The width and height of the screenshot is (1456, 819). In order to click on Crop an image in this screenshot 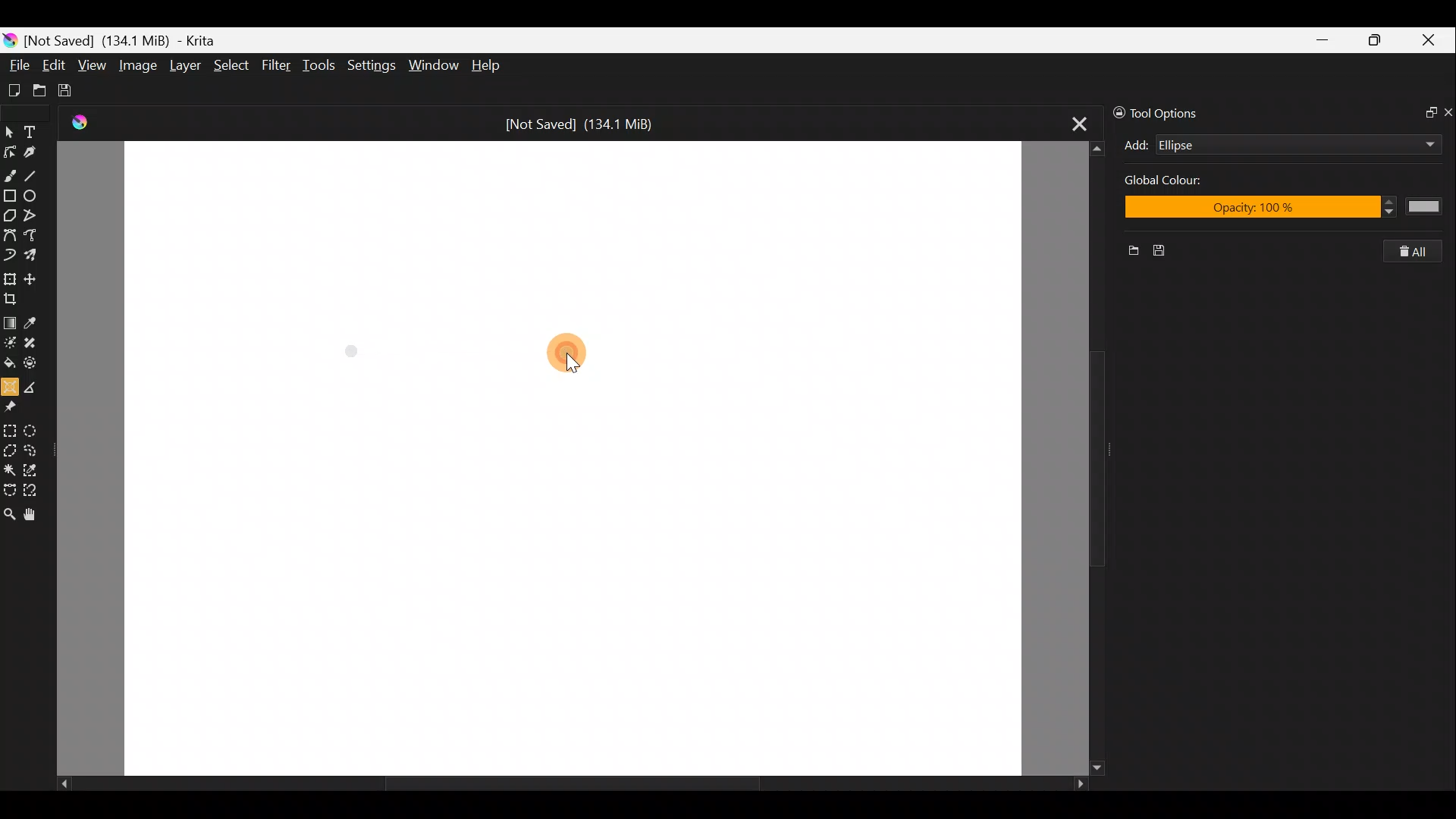, I will do `click(14, 297)`.